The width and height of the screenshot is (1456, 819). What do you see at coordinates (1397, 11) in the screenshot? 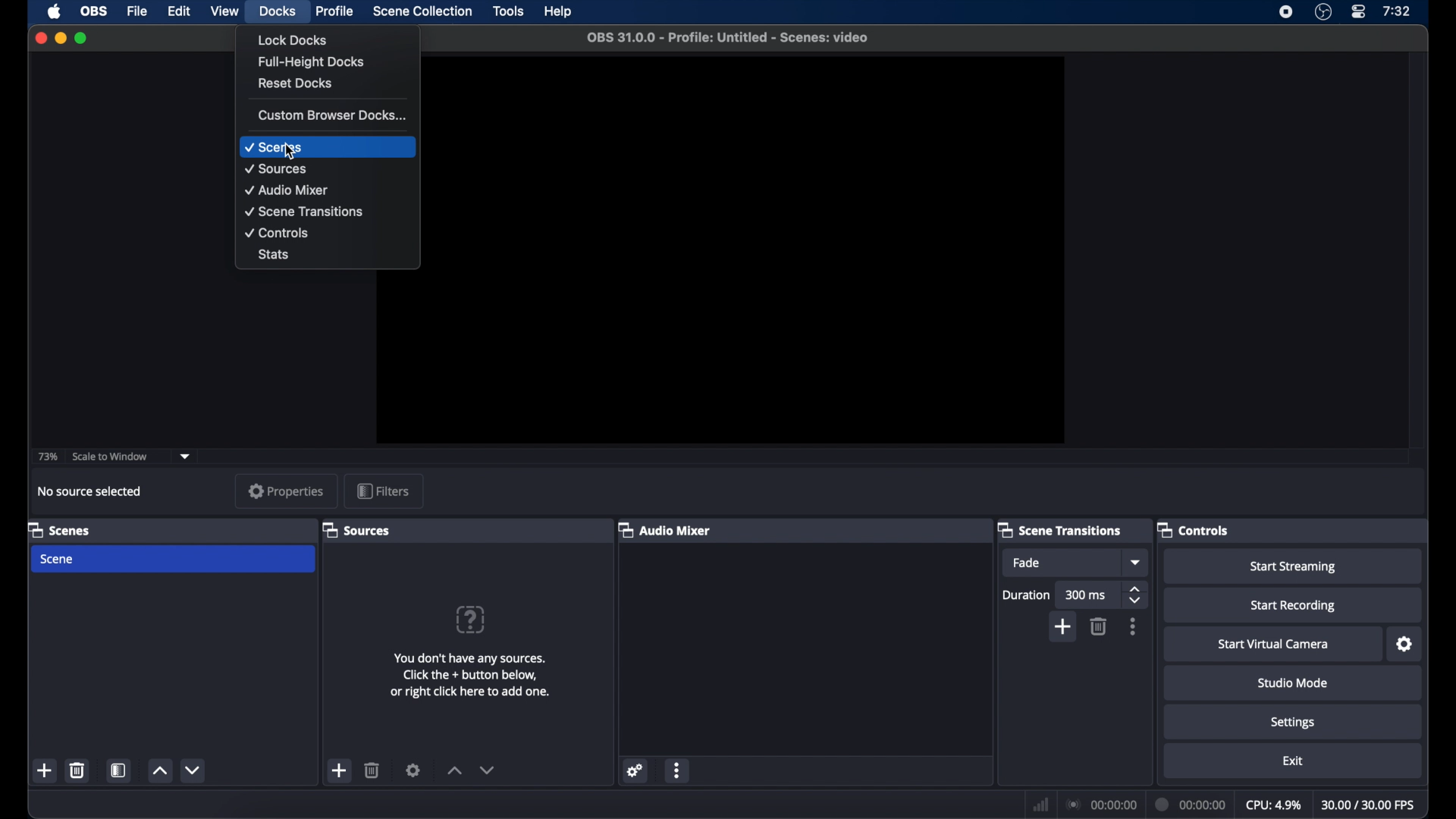
I see `7:32` at bounding box center [1397, 11].